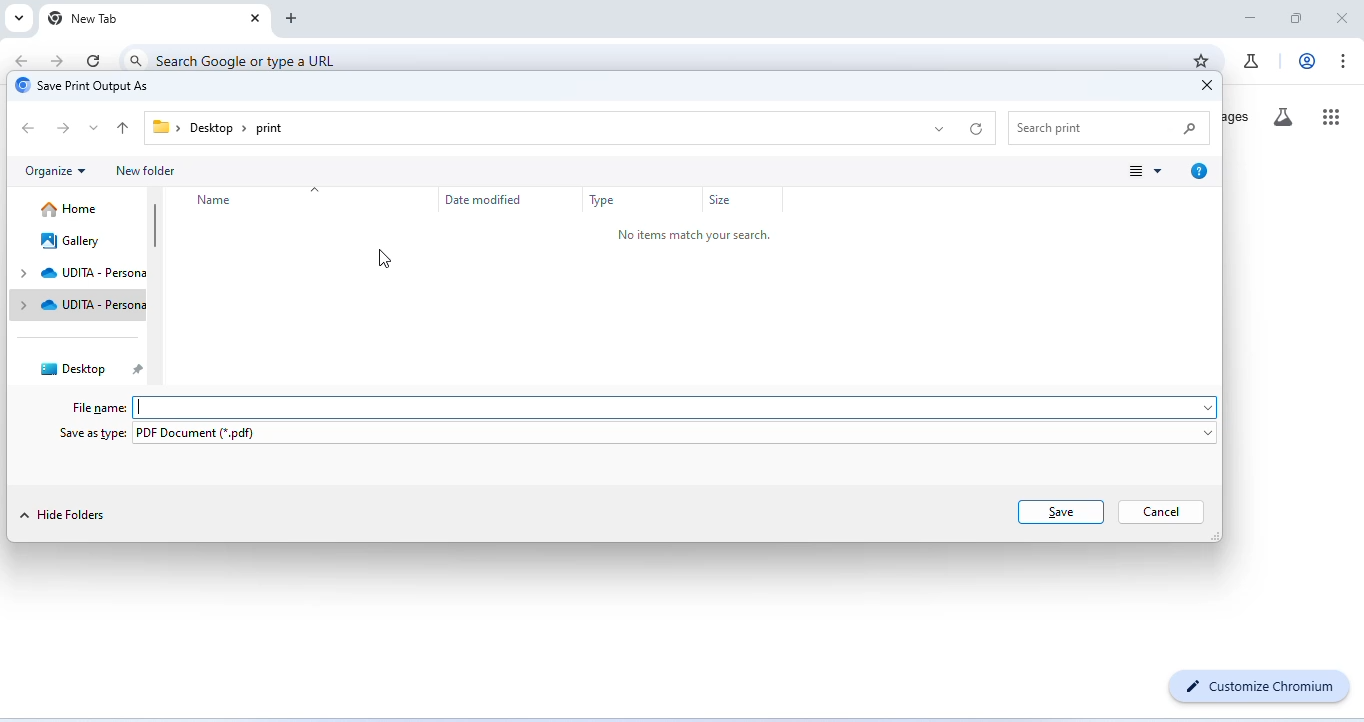  Describe the element at coordinates (1112, 127) in the screenshot. I see `search item` at that location.